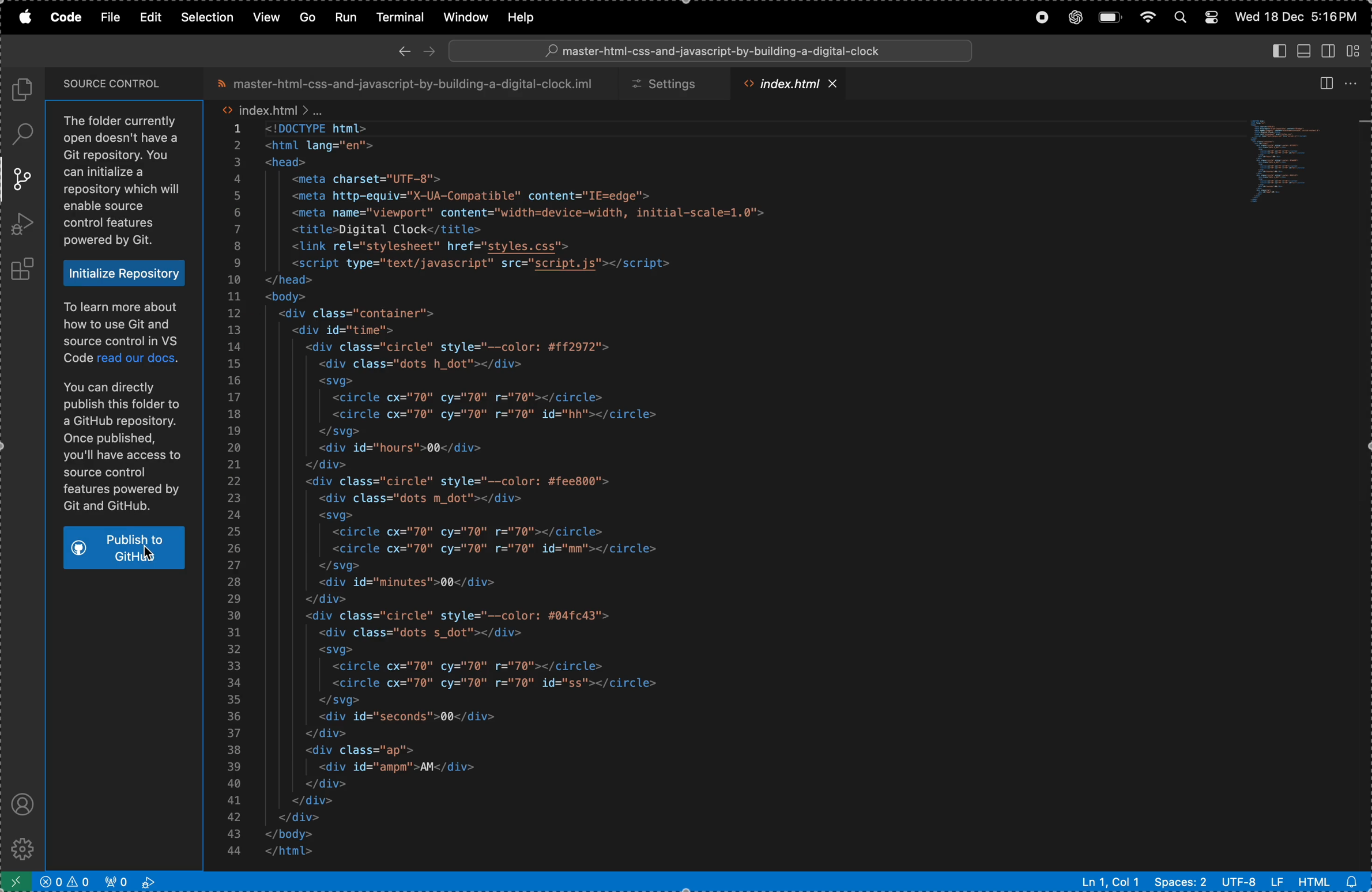 Image resolution: width=1372 pixels, height=892 pixels. What do you see at coordinates (20, 802) in the screenshot?
I see `profile` at bounding box center [20, 802].